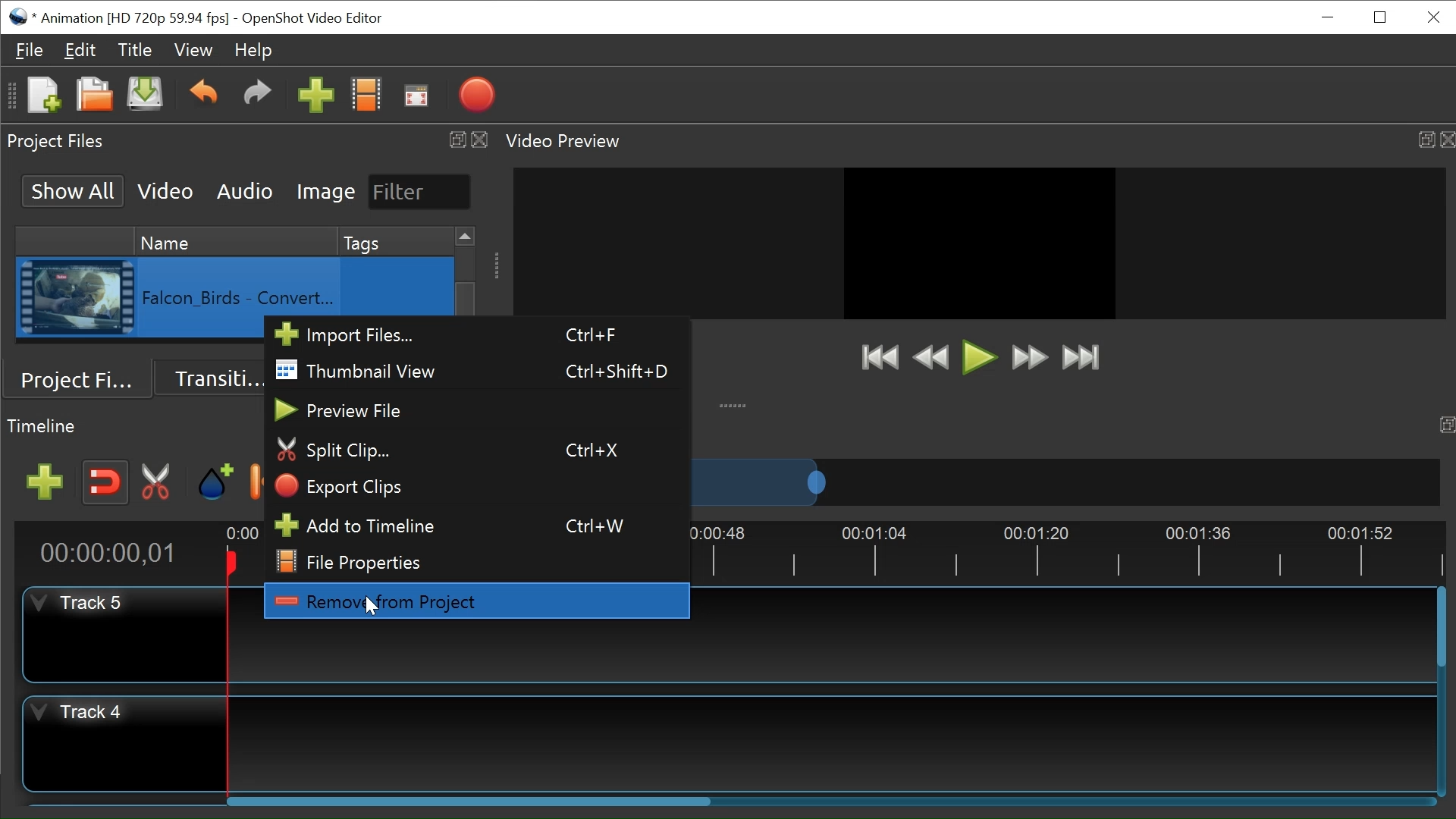  I want to click on Drag handle, so click(735, 404).